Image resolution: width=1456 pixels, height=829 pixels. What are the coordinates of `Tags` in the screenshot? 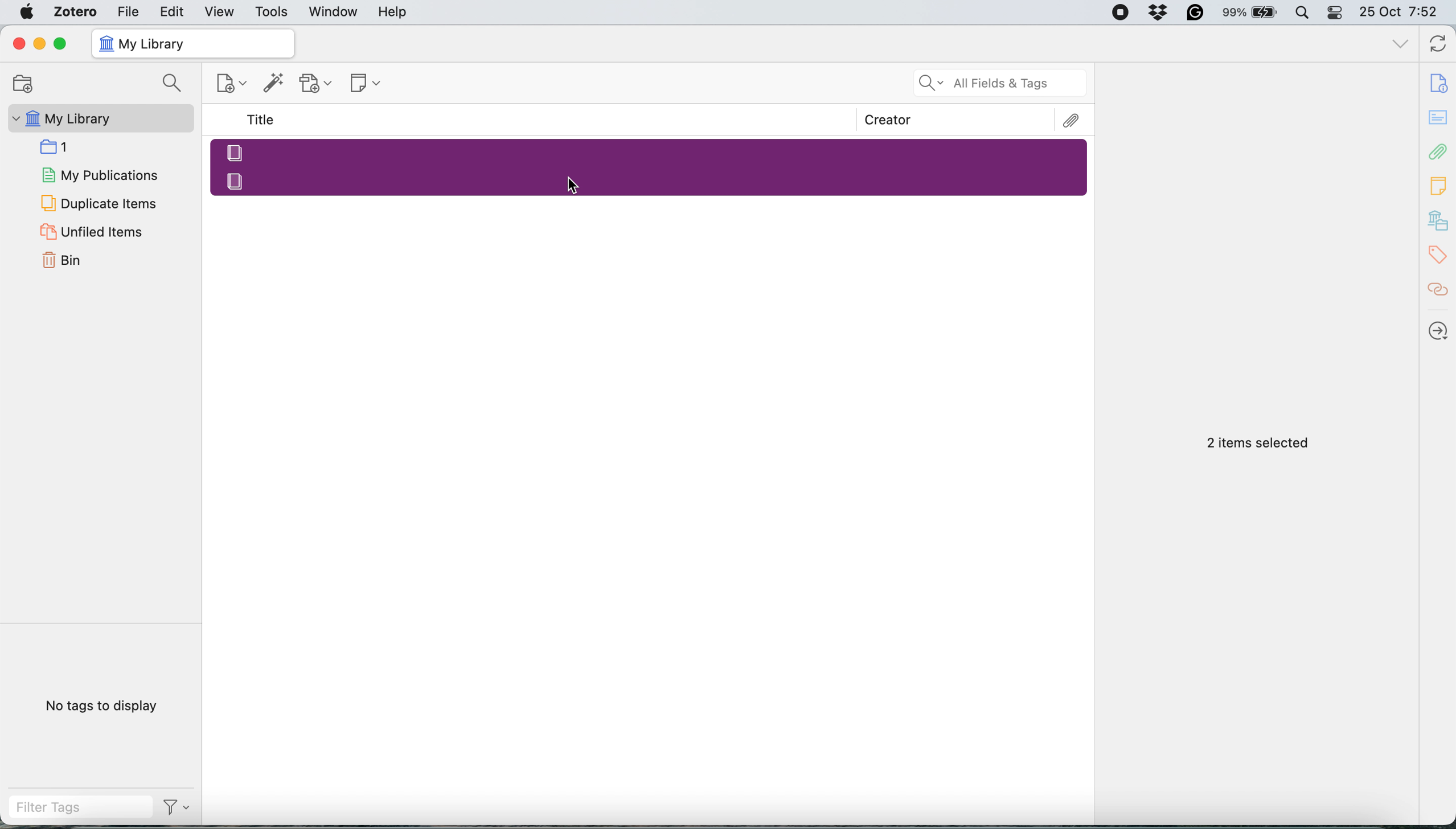 It's located at (1441, 255).